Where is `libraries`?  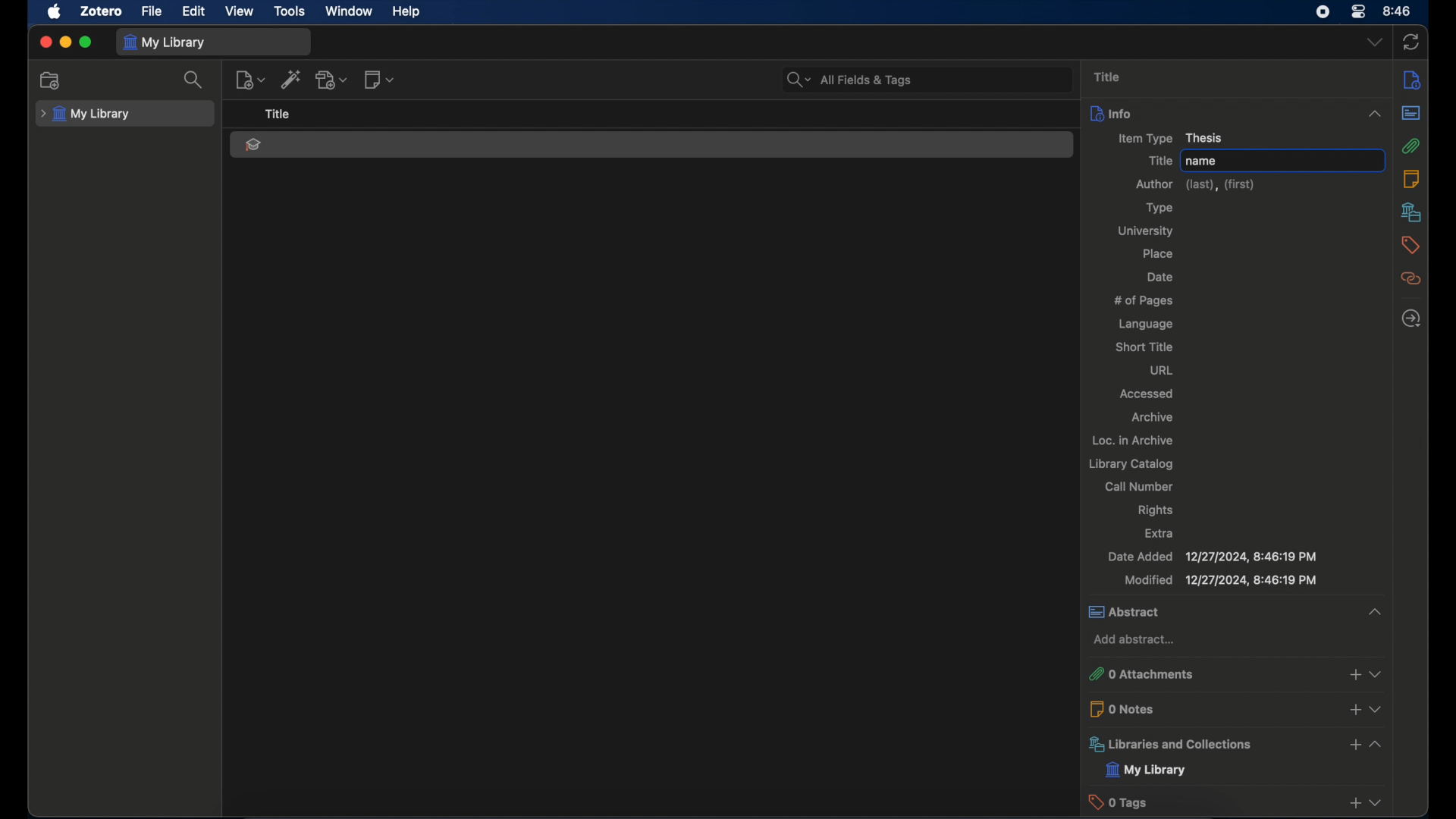 libraries is located at coordinates (1209, 744).